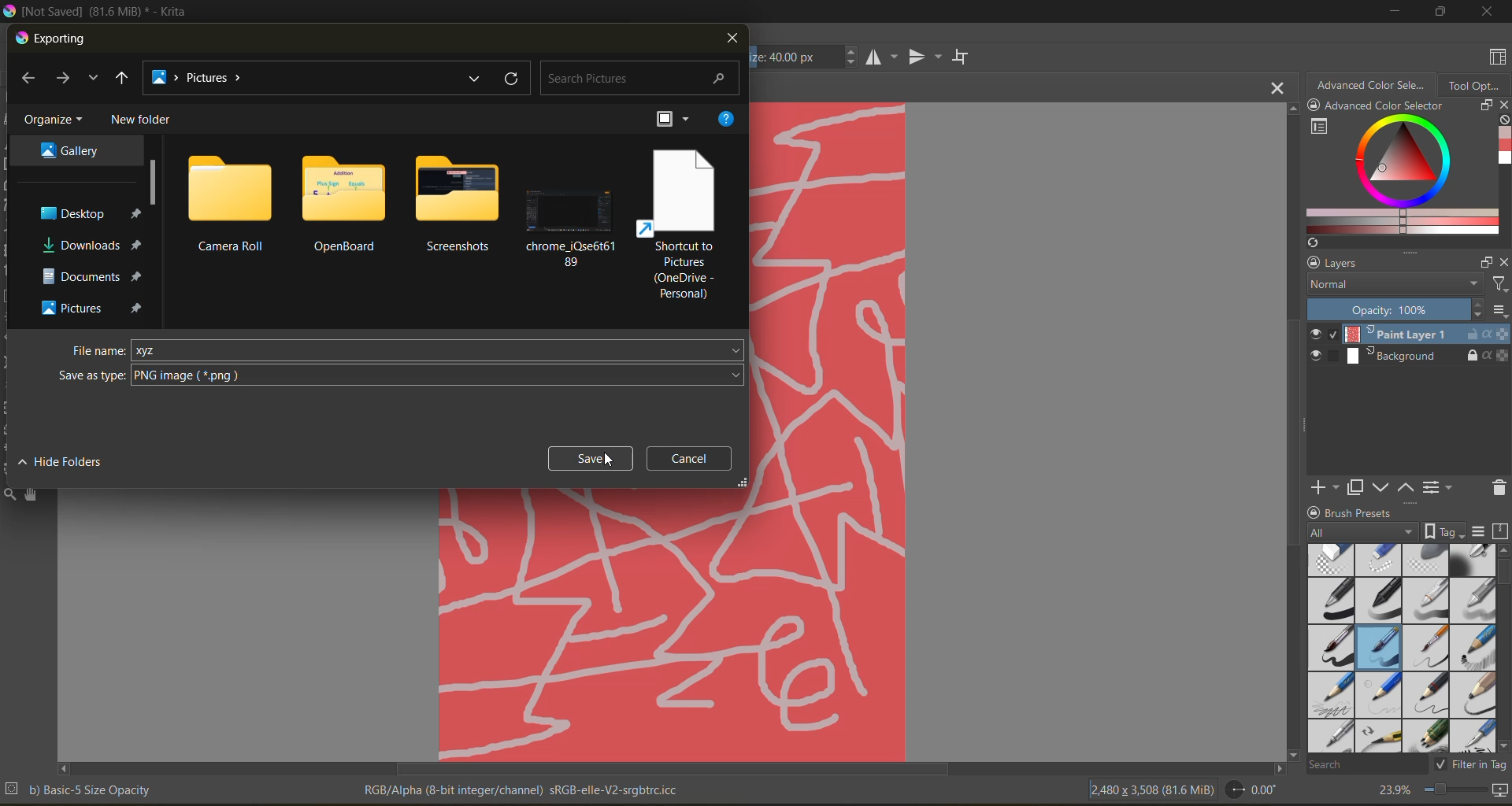 Image resolution: width=1512 pixels, height=806 pixels. I want to click on close tab, so click(1279, 87).